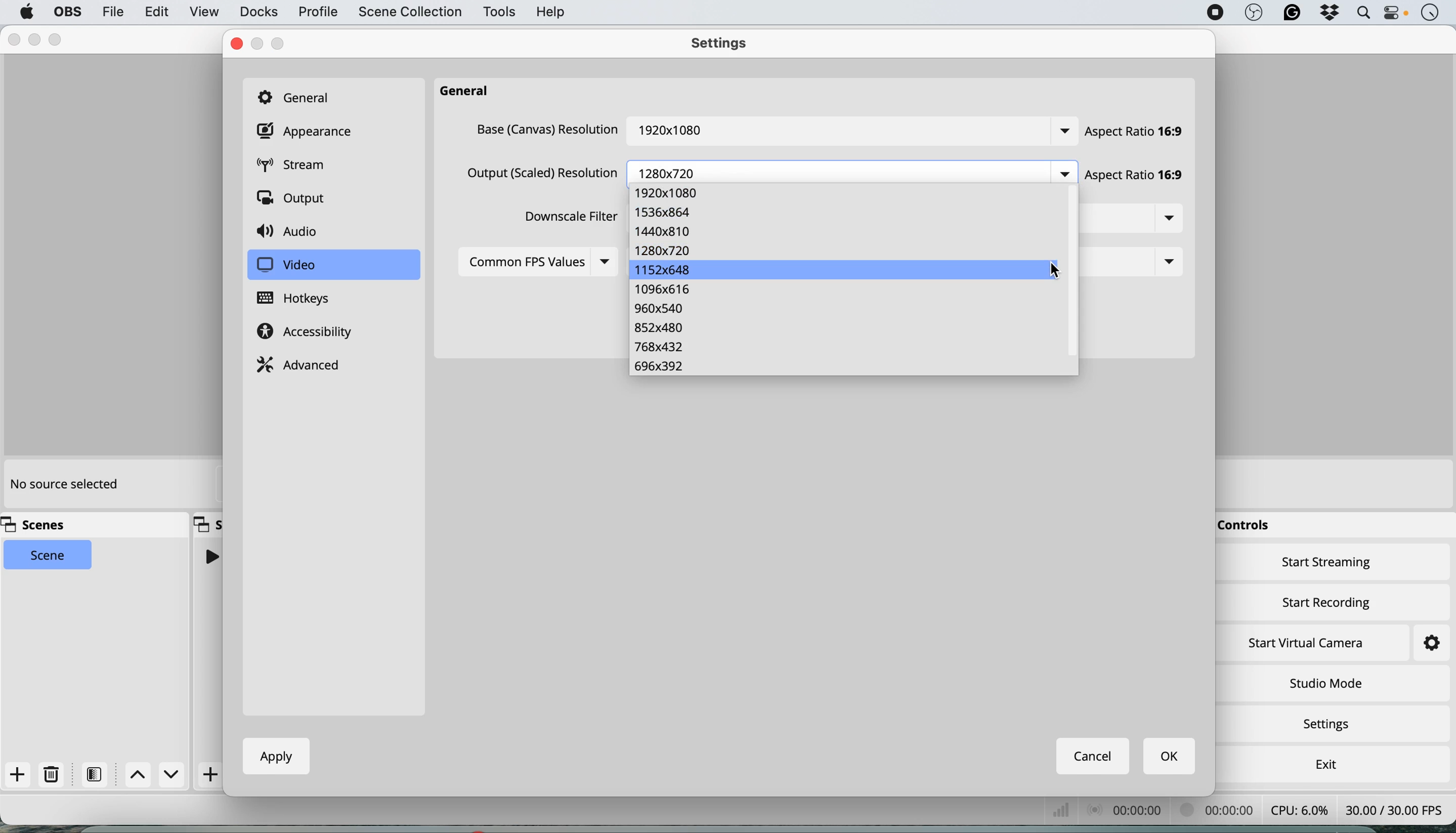  I want to click on screen recorder, so click(1215, 13).